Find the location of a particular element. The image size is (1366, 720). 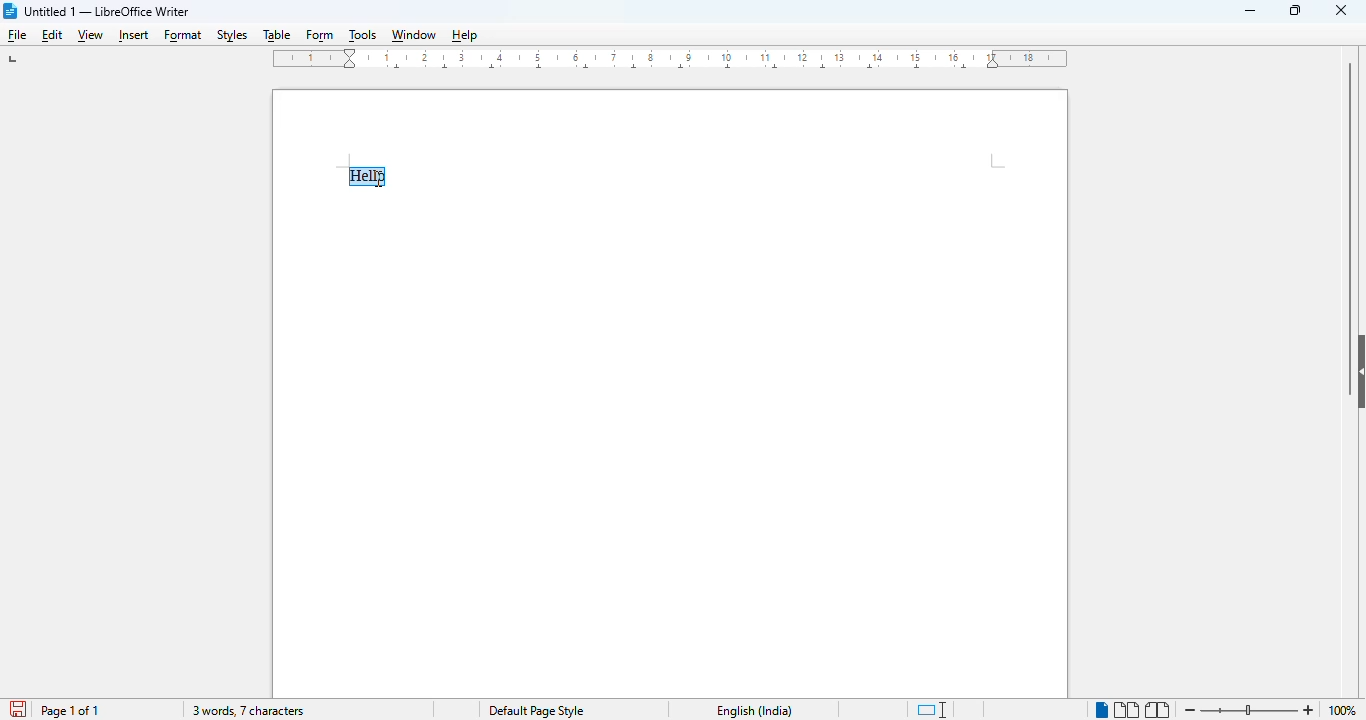

logo is located at coordinates (11, 11).